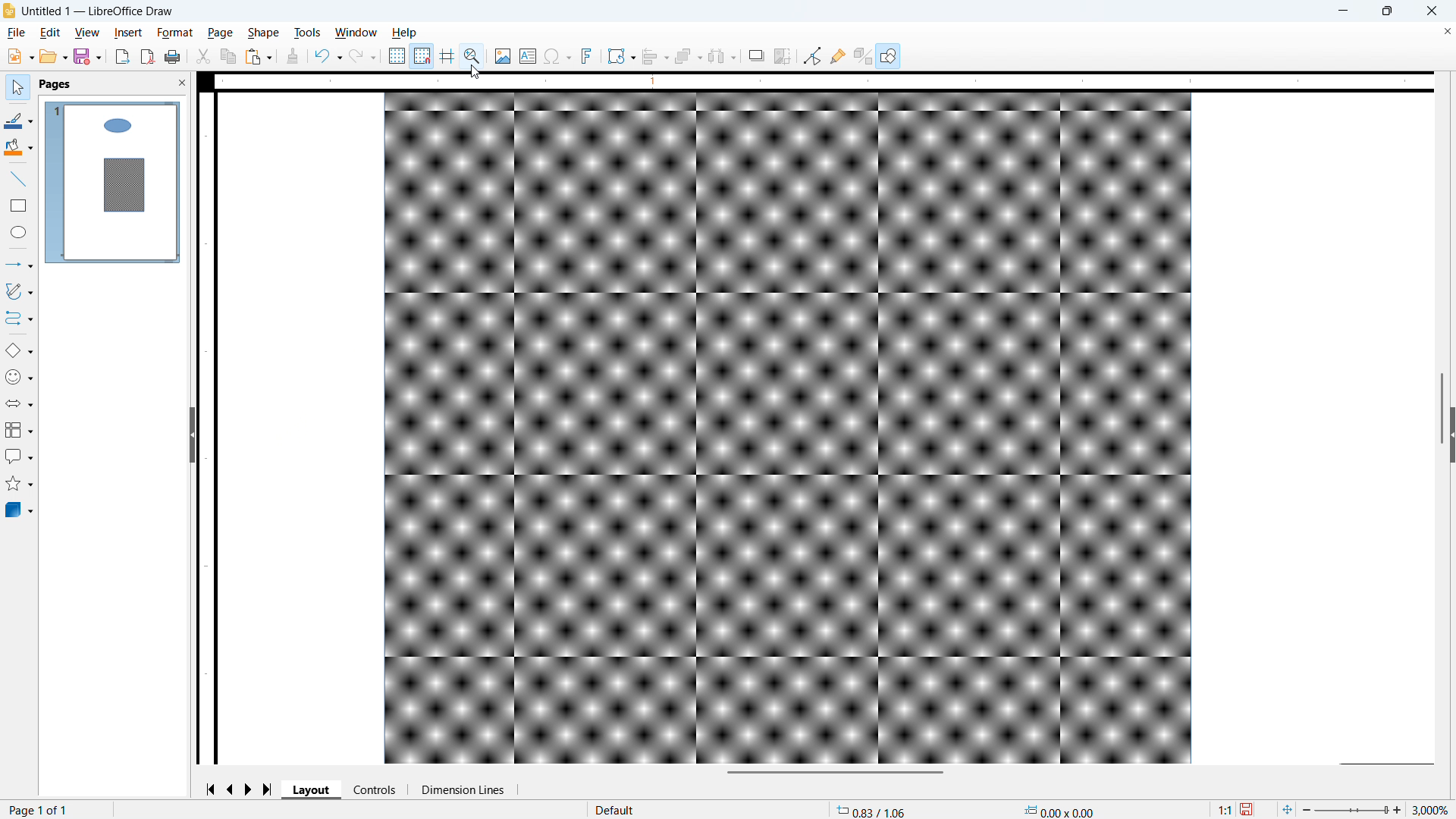 The image size is (1456, 819). I want to click on Show grids , so click(397, 55).